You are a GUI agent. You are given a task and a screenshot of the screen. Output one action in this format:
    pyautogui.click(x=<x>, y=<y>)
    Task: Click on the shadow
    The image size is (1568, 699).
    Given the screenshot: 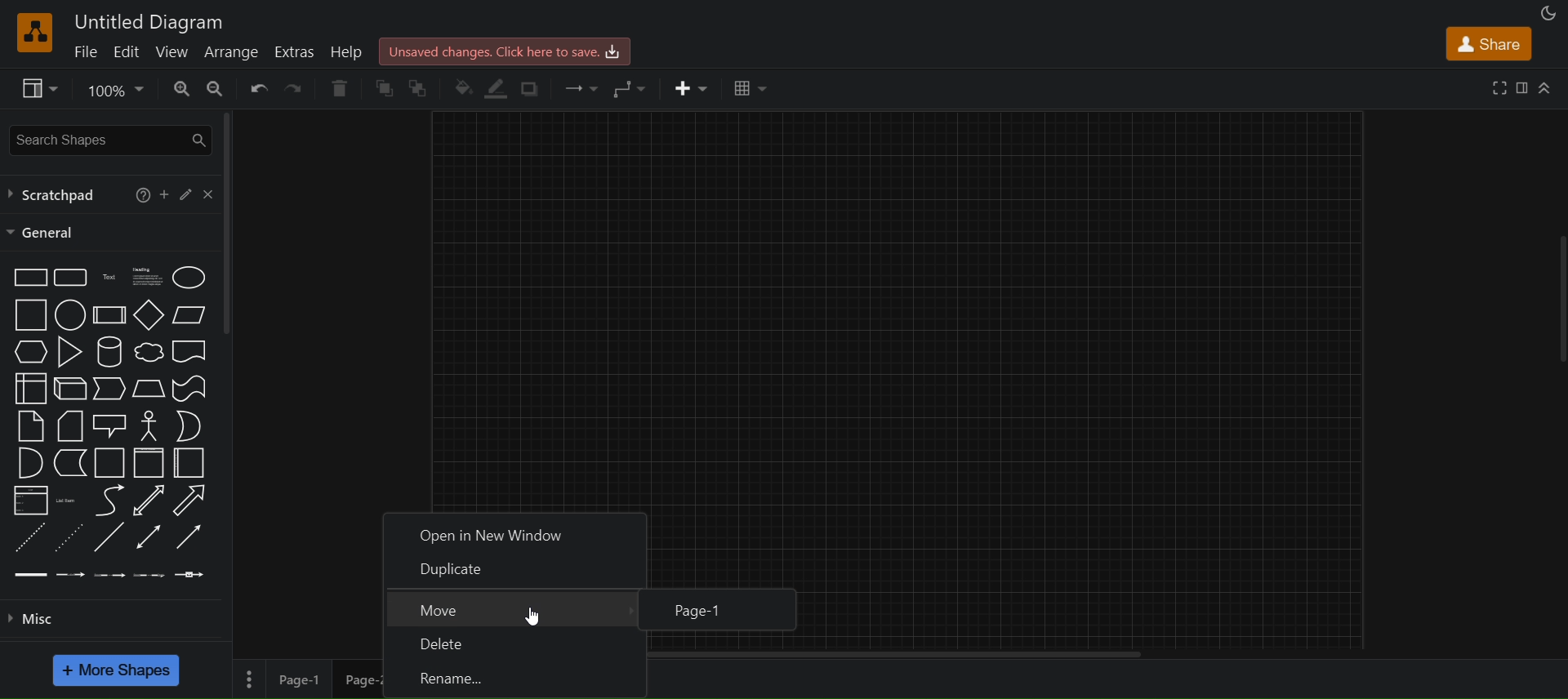 What is the action you would take?
    pyautogui.click(x=532, y=89)
    